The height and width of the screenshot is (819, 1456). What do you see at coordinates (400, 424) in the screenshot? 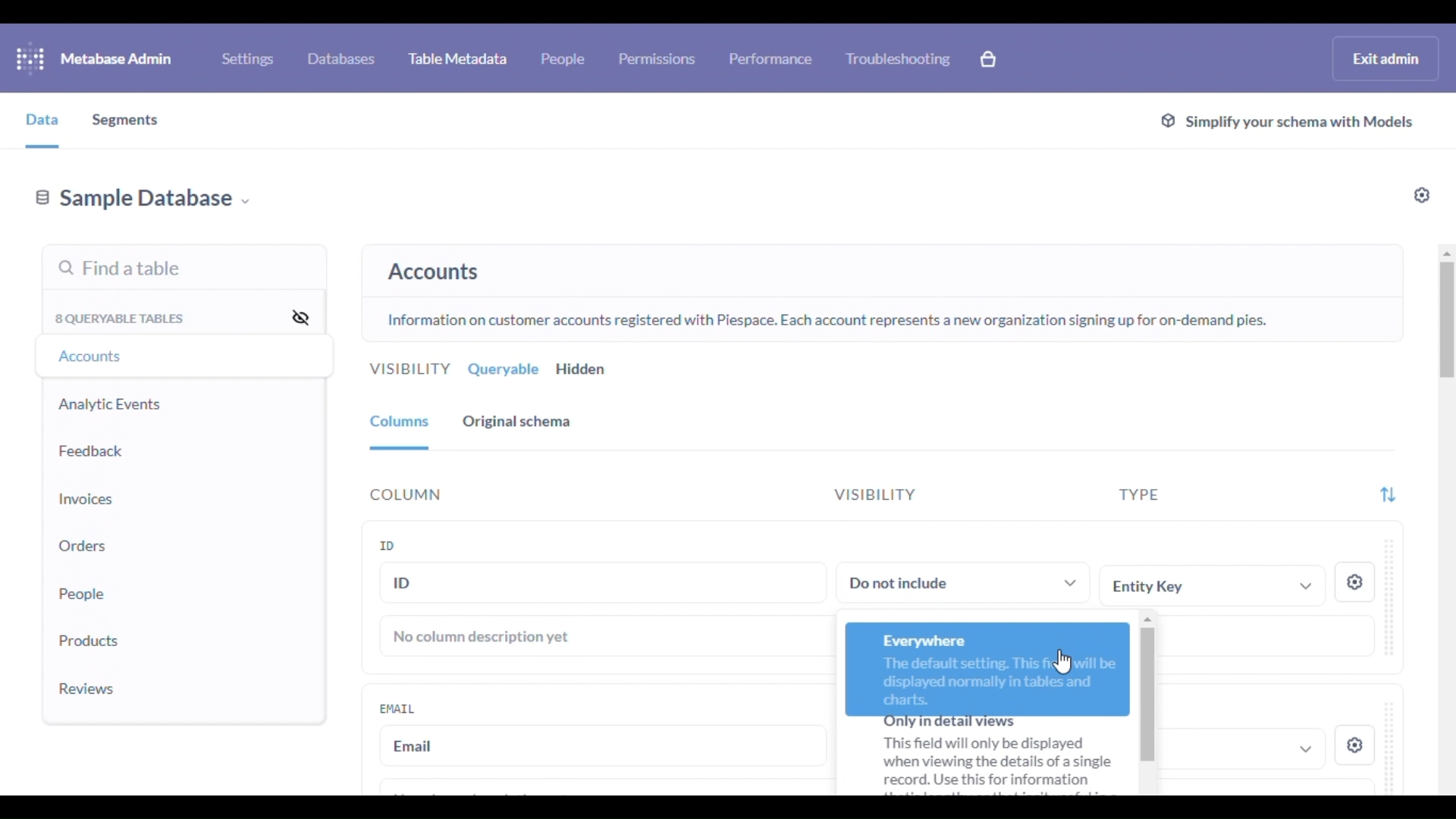
I see `columns` at bounding box center [400, 424].